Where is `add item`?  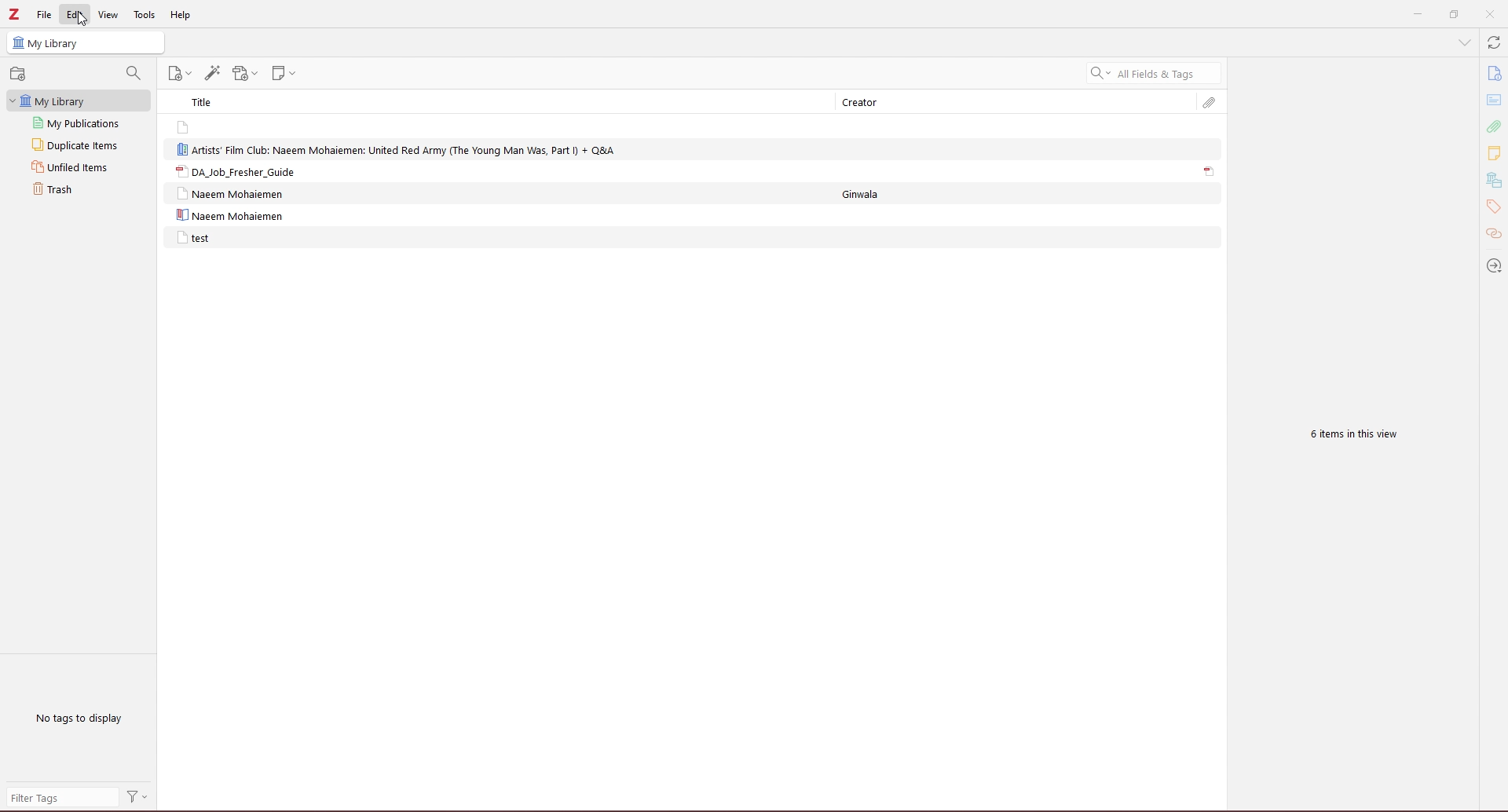 add item is located at coordinates (20, 74).